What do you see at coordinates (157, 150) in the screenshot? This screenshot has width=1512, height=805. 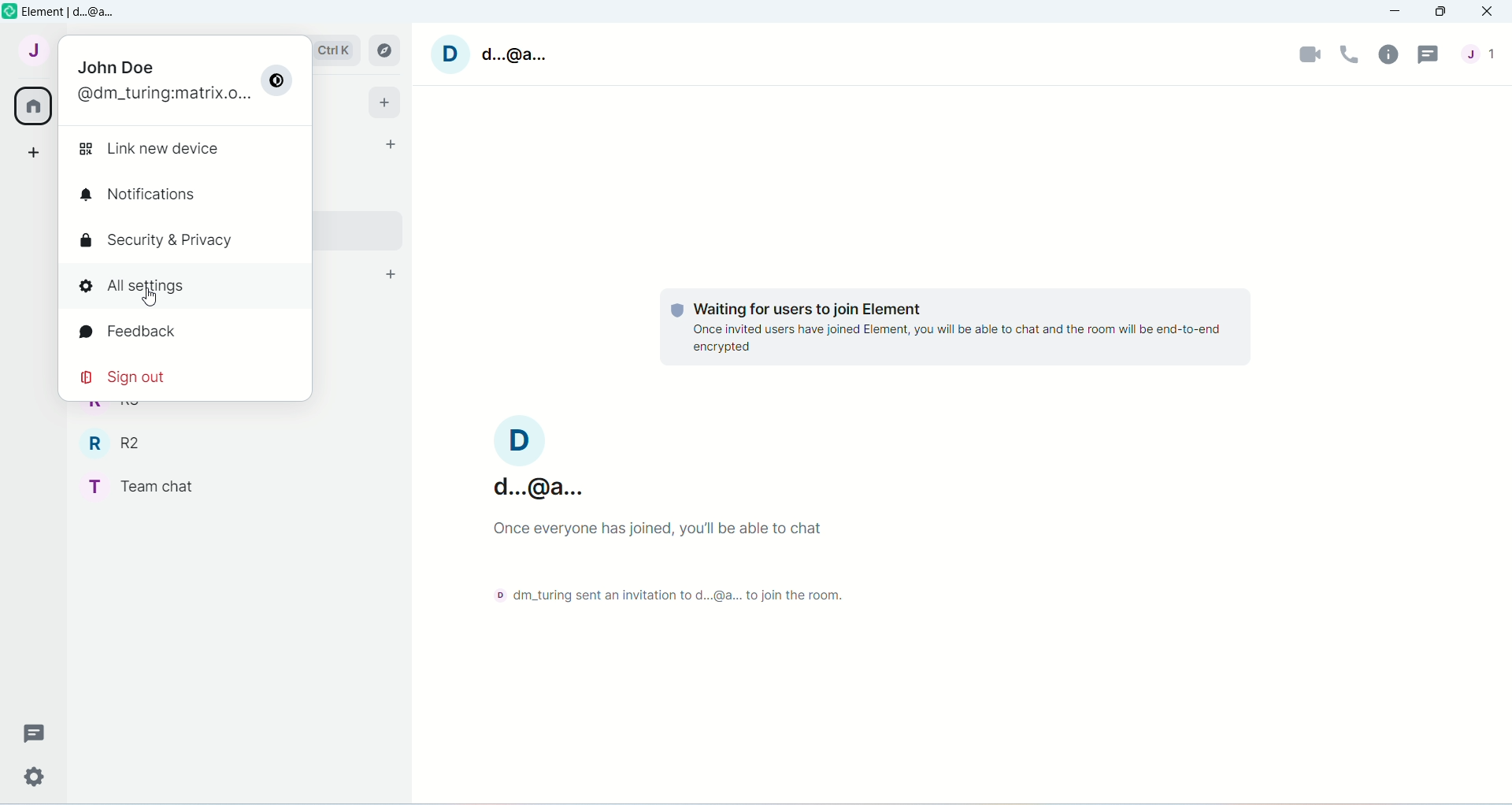 I see `Link new device` at bounding box center [157, 150].